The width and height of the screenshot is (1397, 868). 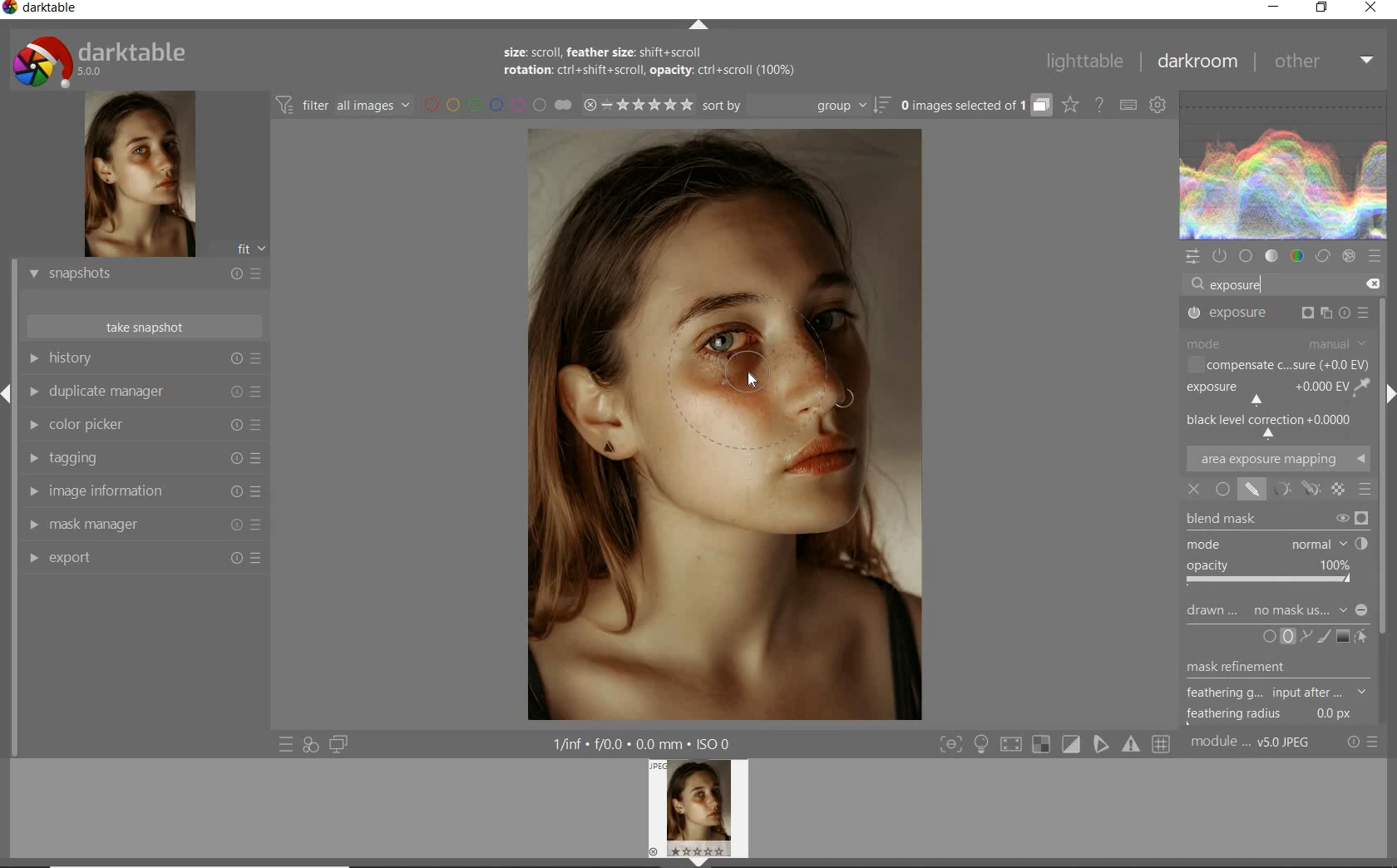 I want to click on ADD CIRCLE, ELLIPSE, OR PATH, so click(x=1286, y=637).